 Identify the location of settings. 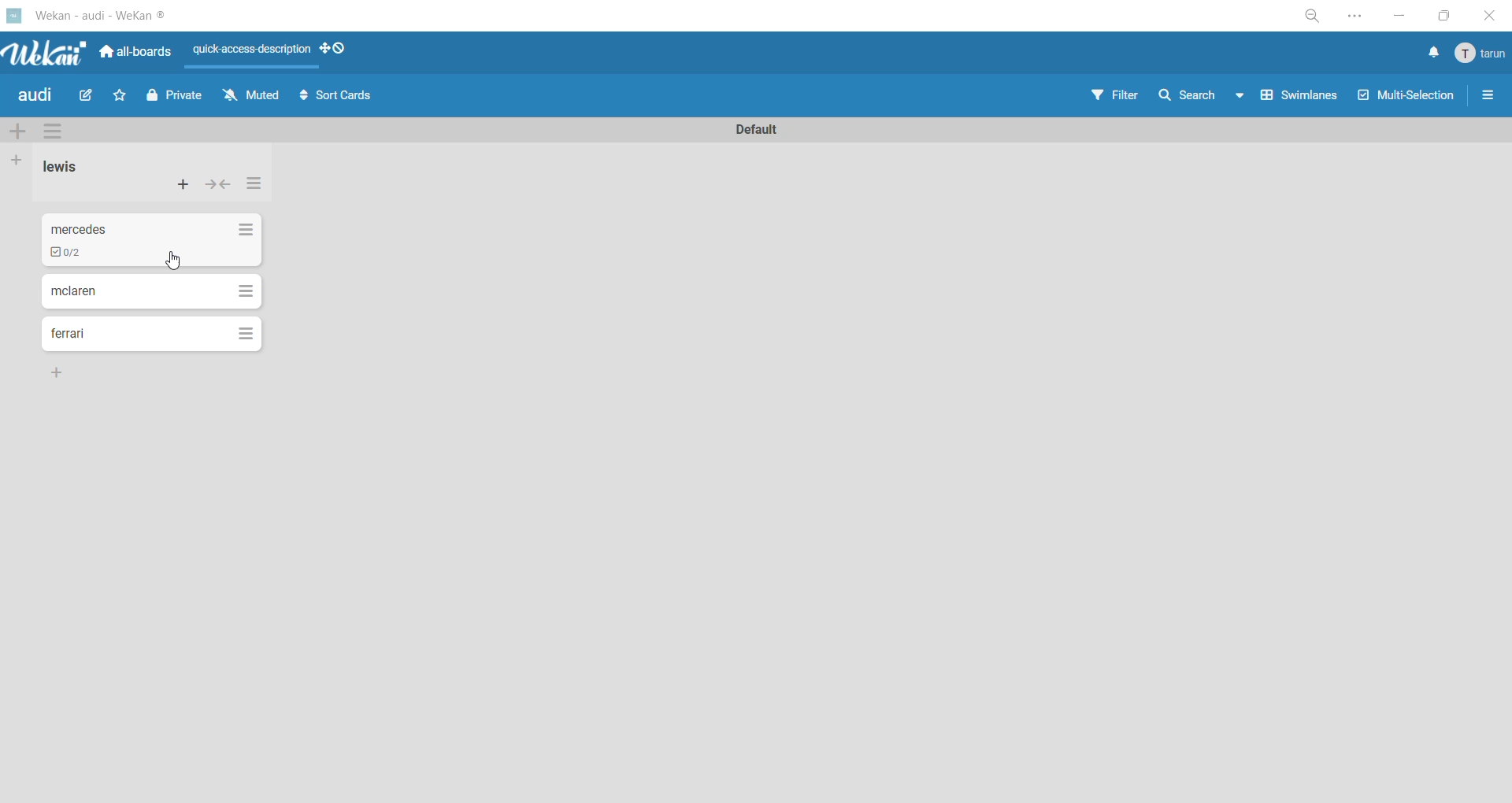
(1354, 18).